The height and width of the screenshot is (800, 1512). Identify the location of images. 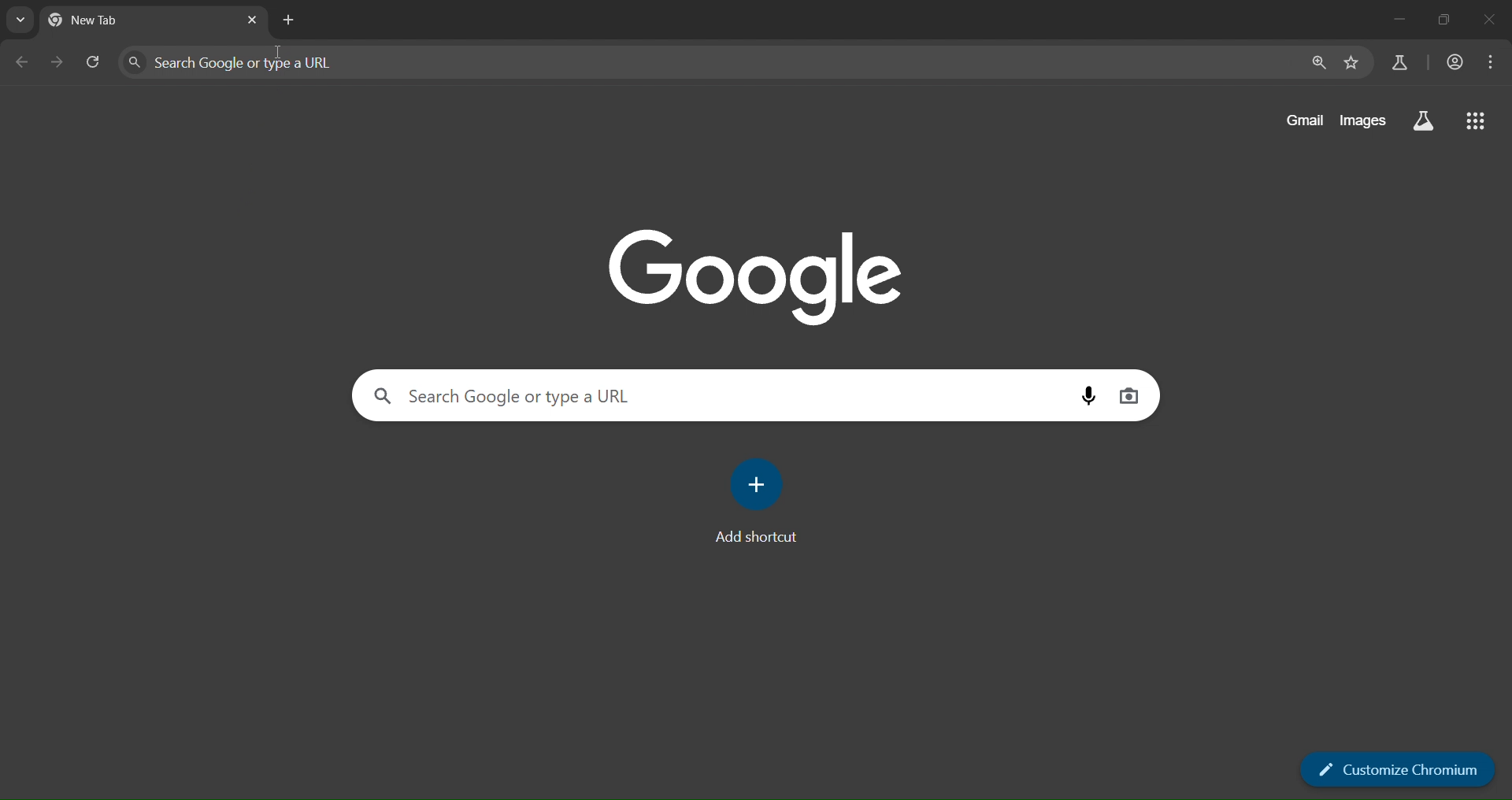
(1366, 117).